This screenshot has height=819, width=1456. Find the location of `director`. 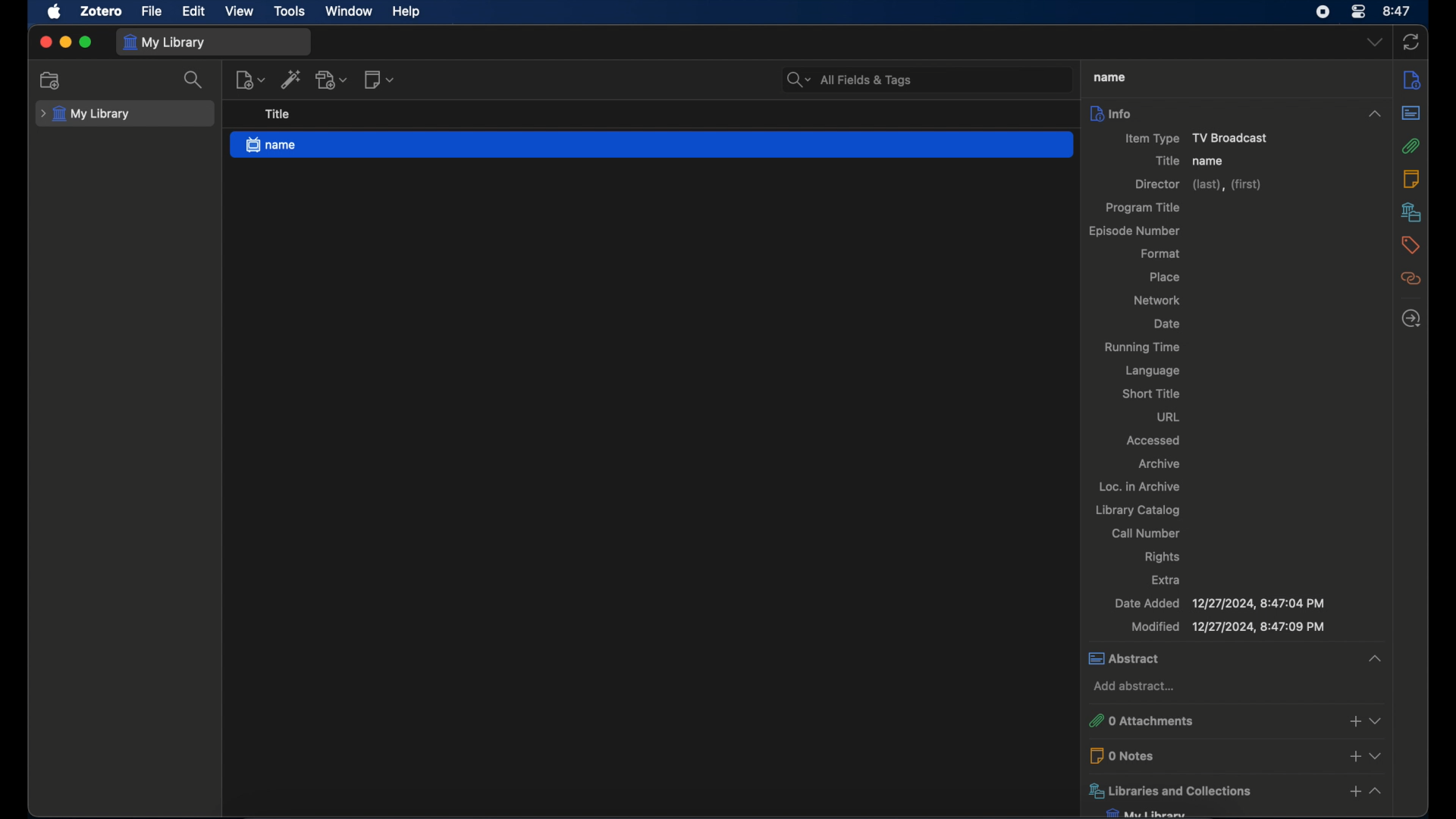

director is located at coordinates (1197, 185).